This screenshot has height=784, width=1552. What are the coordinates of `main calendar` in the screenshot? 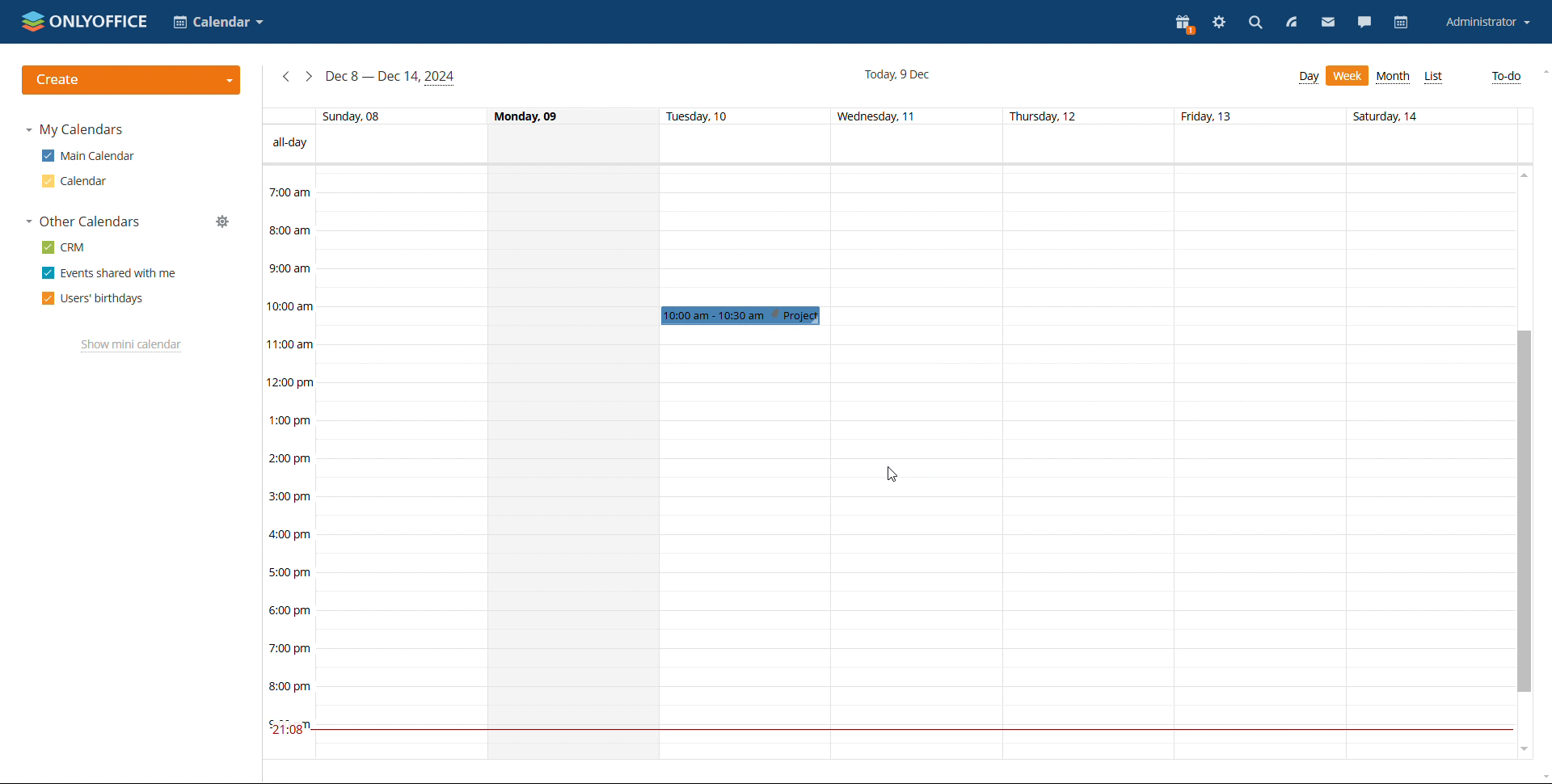 It's located at (88, 156).